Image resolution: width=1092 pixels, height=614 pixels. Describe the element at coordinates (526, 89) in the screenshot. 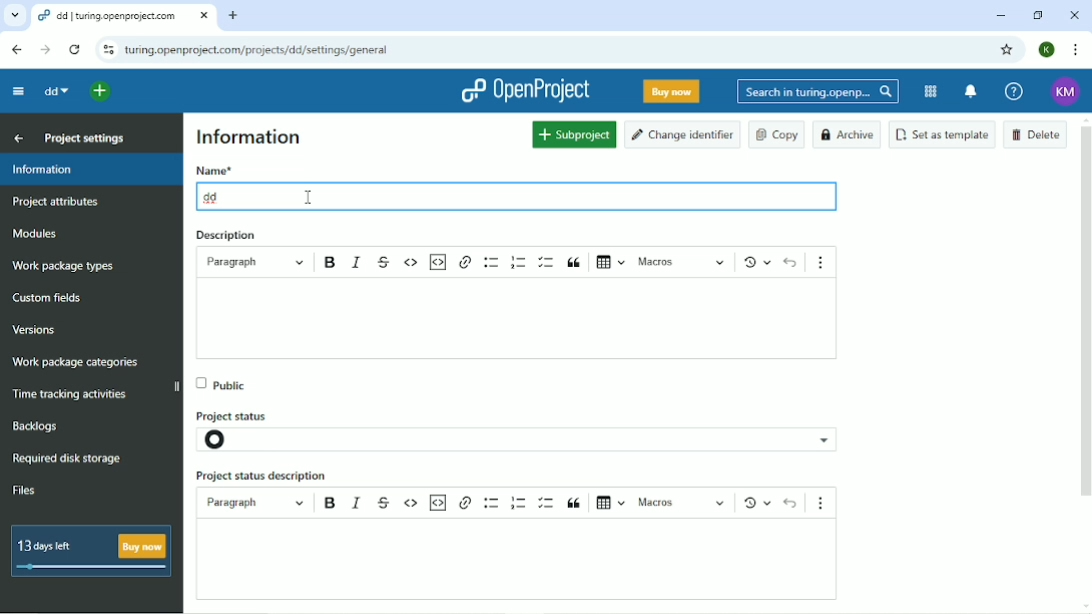

I see `OpenProject` at that location.